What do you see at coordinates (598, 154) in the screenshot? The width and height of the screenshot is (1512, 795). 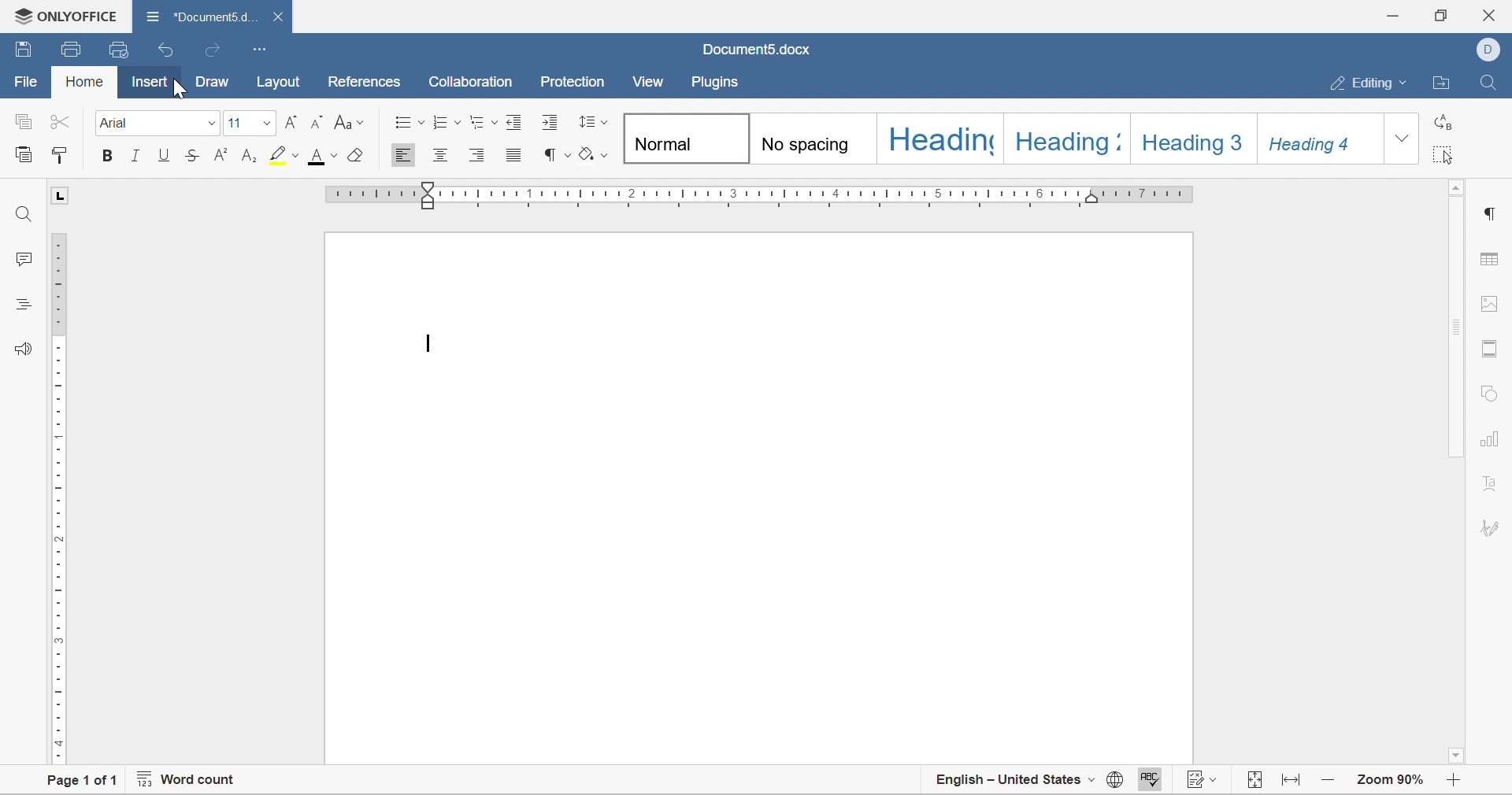 I see `shading` at bounding box center [598, 154].